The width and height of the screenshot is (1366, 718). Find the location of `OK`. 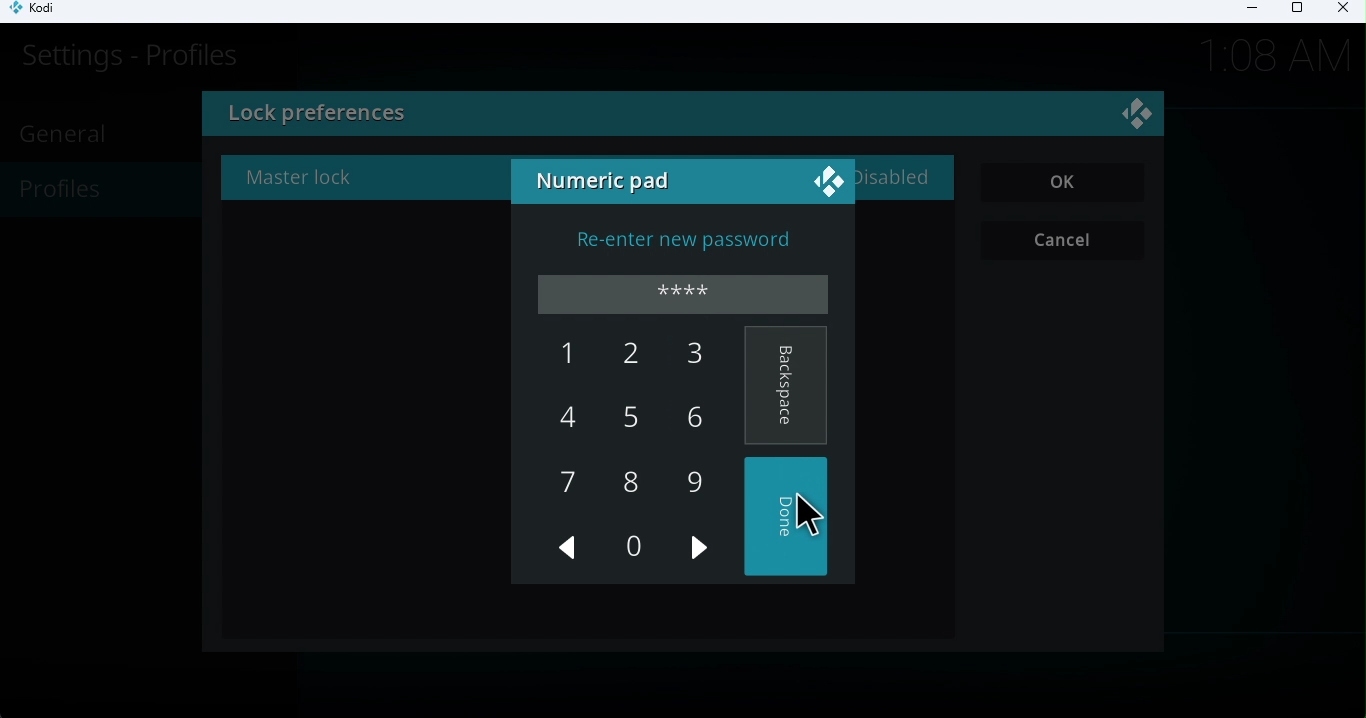

OK is located at coordinates (1064, 183).